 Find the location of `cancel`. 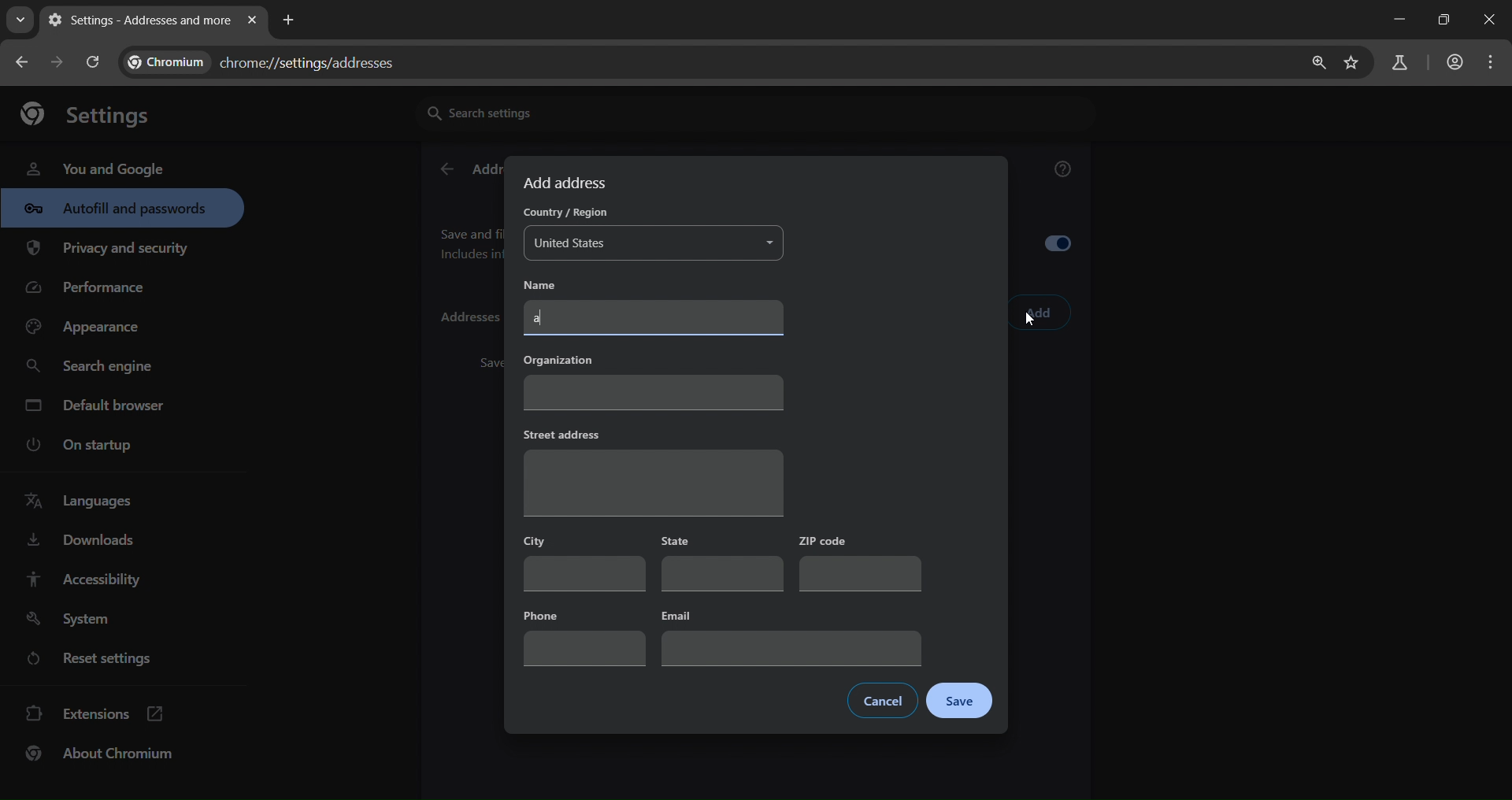

cancel is located at coordinates (884, 700).